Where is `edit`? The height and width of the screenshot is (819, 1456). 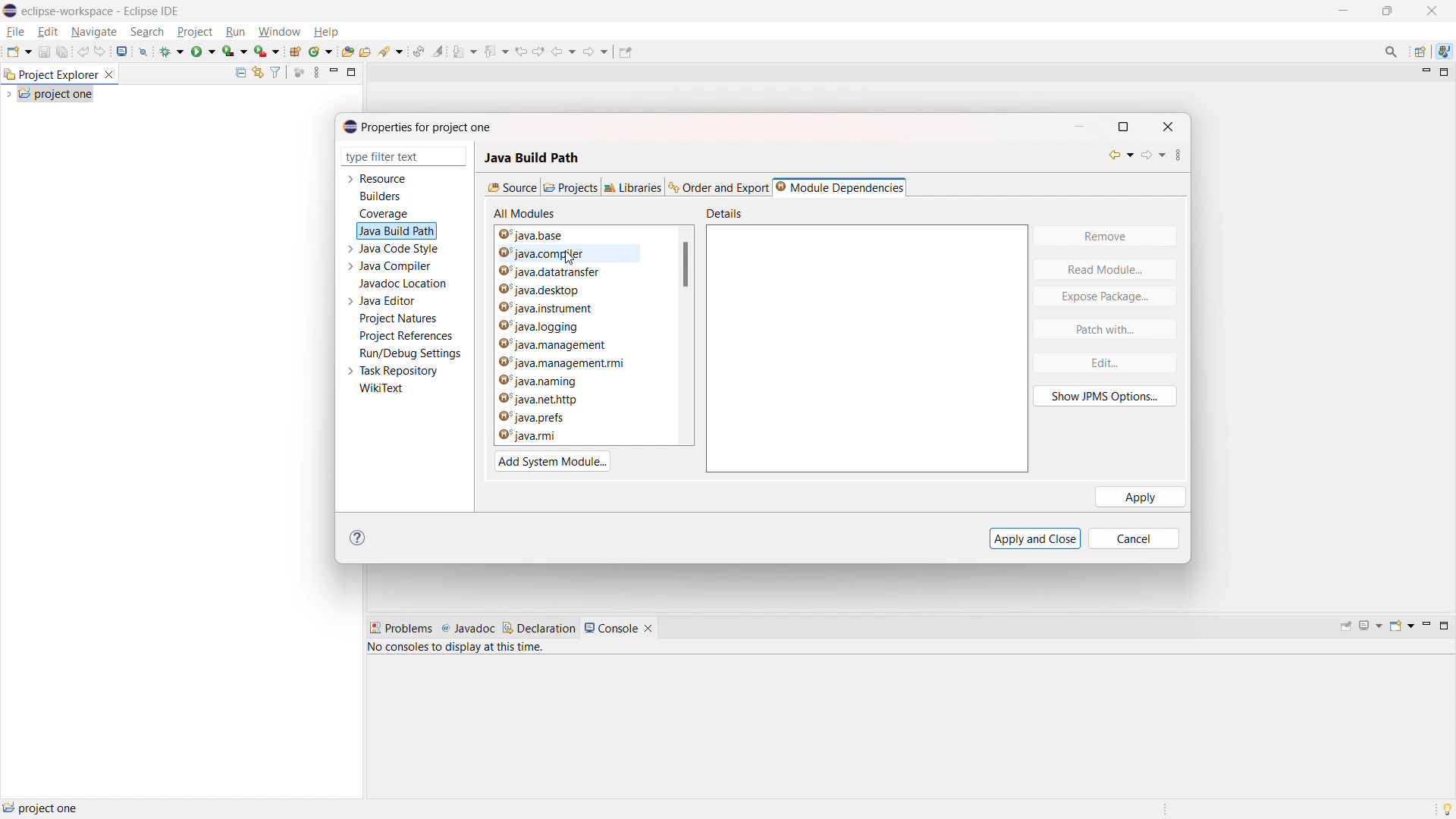 edit is located at coordinates (48, 33).